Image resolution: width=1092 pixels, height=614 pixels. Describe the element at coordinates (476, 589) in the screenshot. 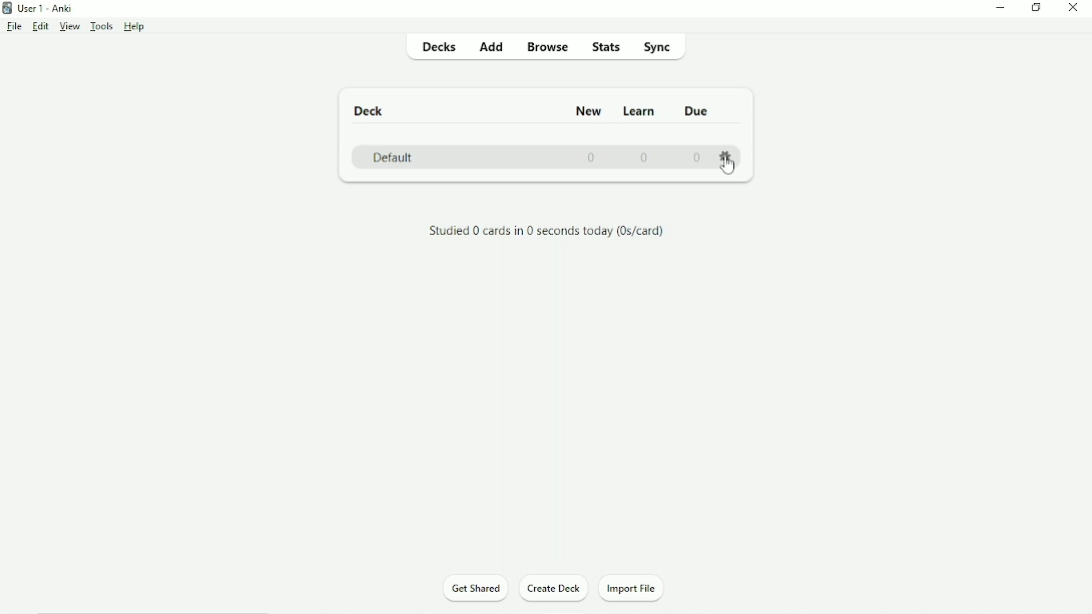

I see `Get Shared` at that location.